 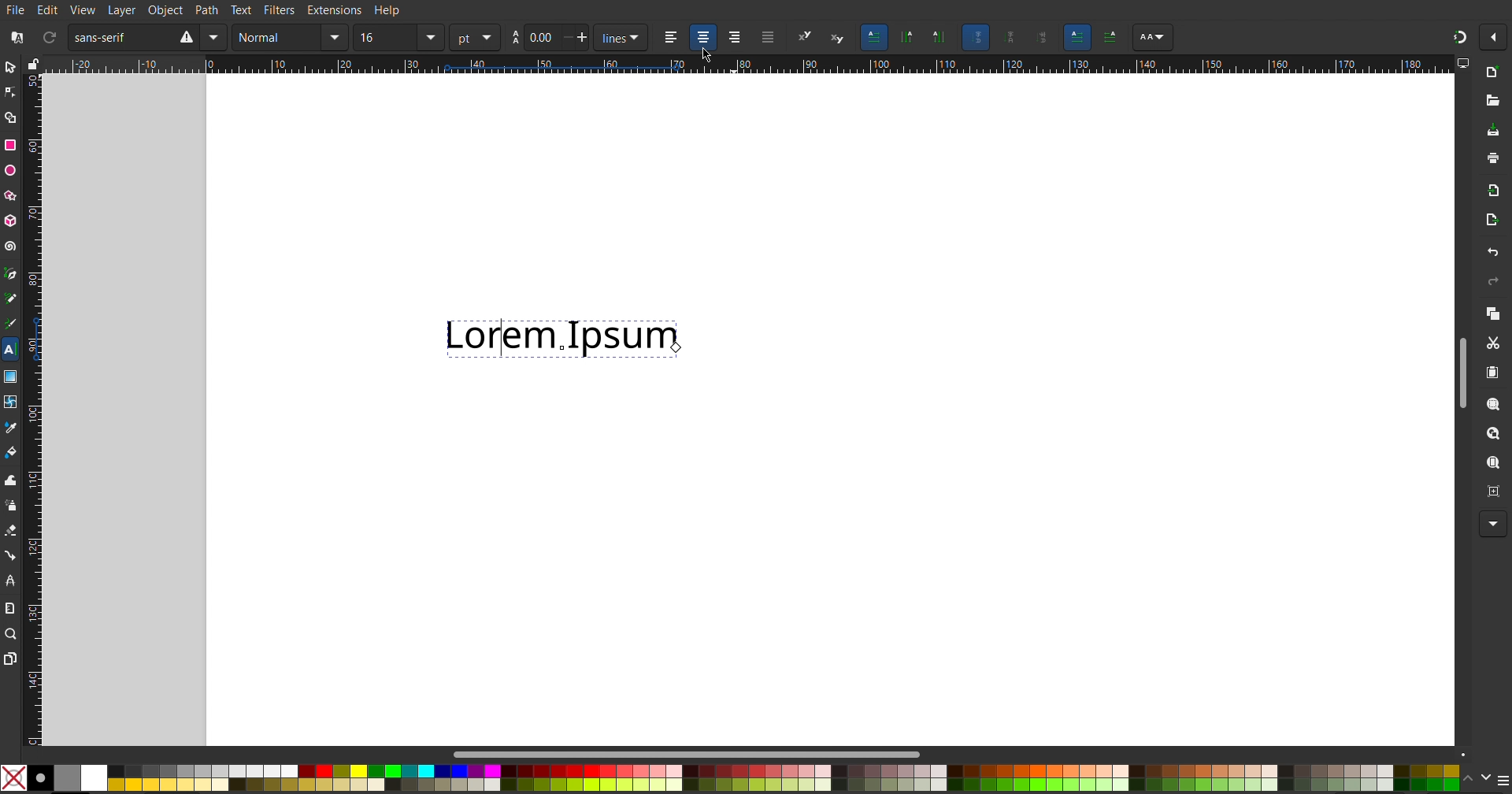 I want to click on New, so click(x=1494, y=73).